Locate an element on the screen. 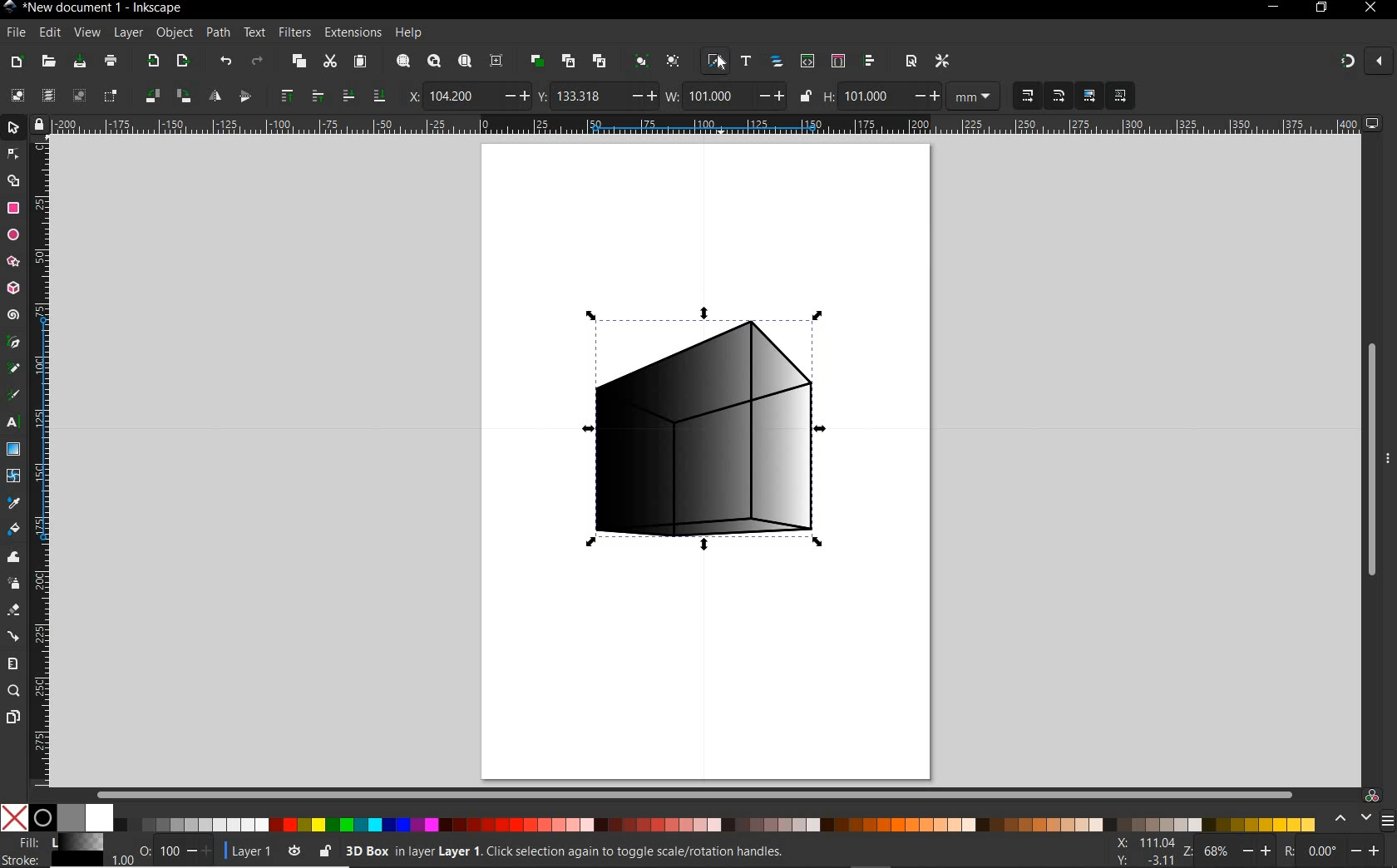 This screenshot has width=1397, height=868. DROPPER TOOL is located at coordinates (13, 503).